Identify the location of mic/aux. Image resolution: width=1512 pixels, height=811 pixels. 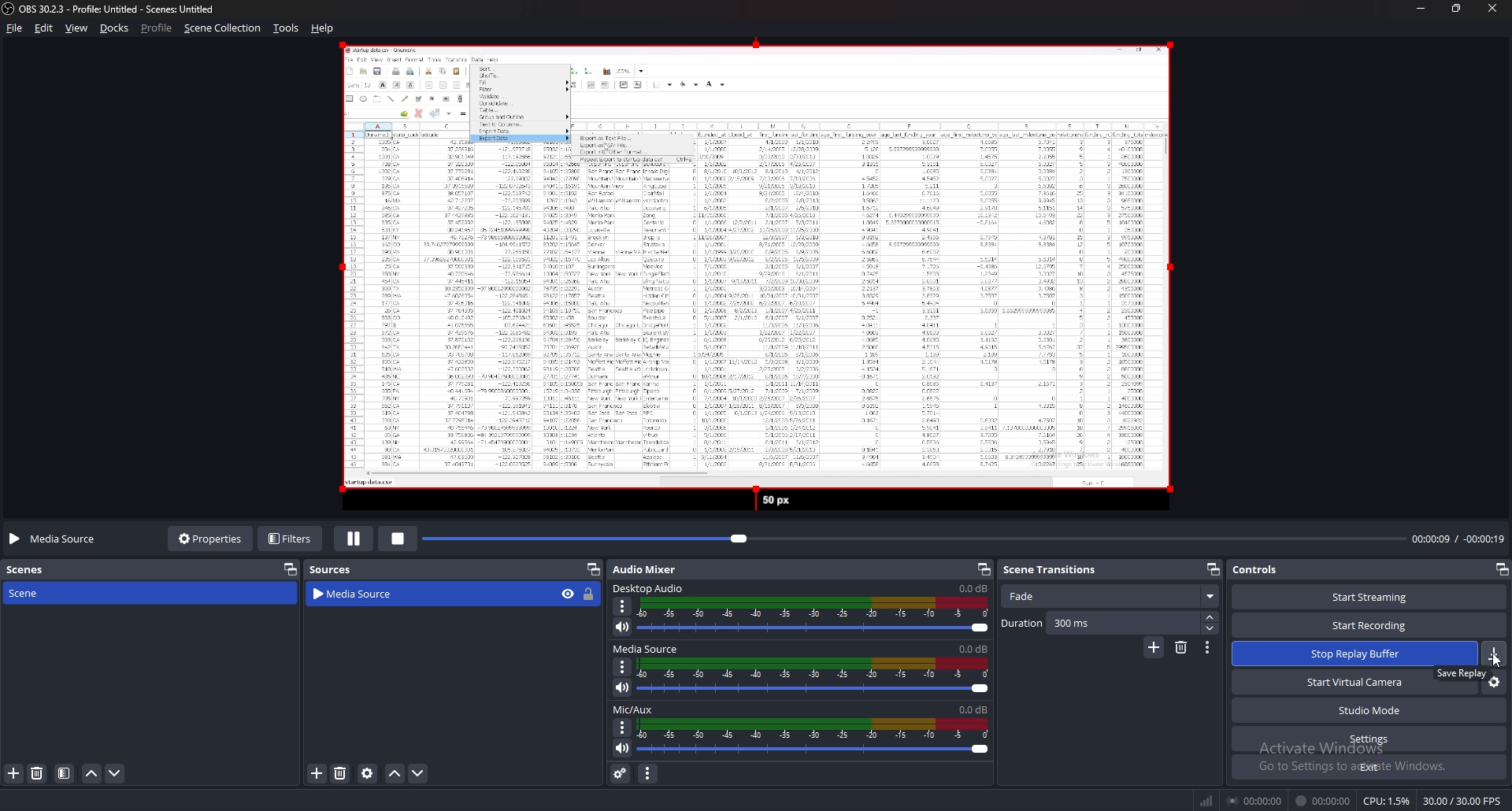
(633, 709).